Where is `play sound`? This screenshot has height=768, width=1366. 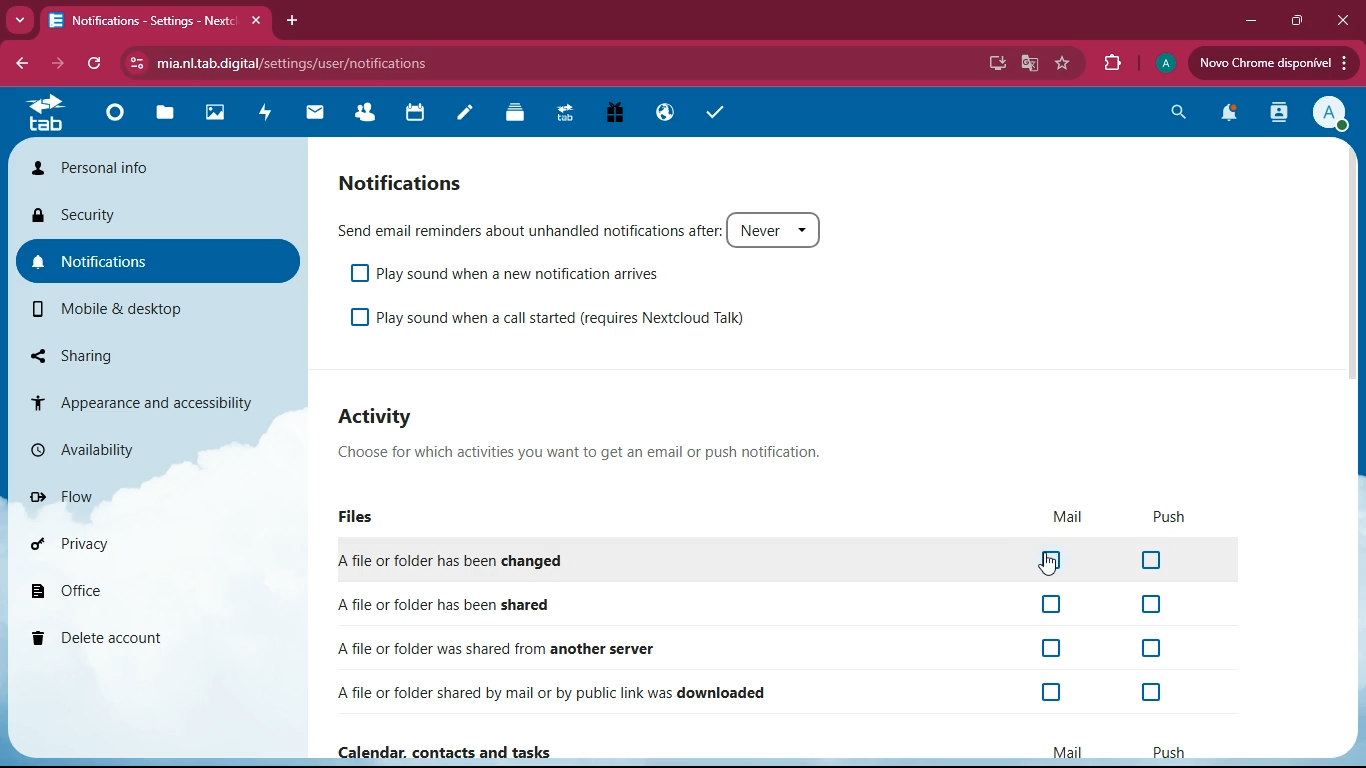 play sound is located at coordinates (526, 275).